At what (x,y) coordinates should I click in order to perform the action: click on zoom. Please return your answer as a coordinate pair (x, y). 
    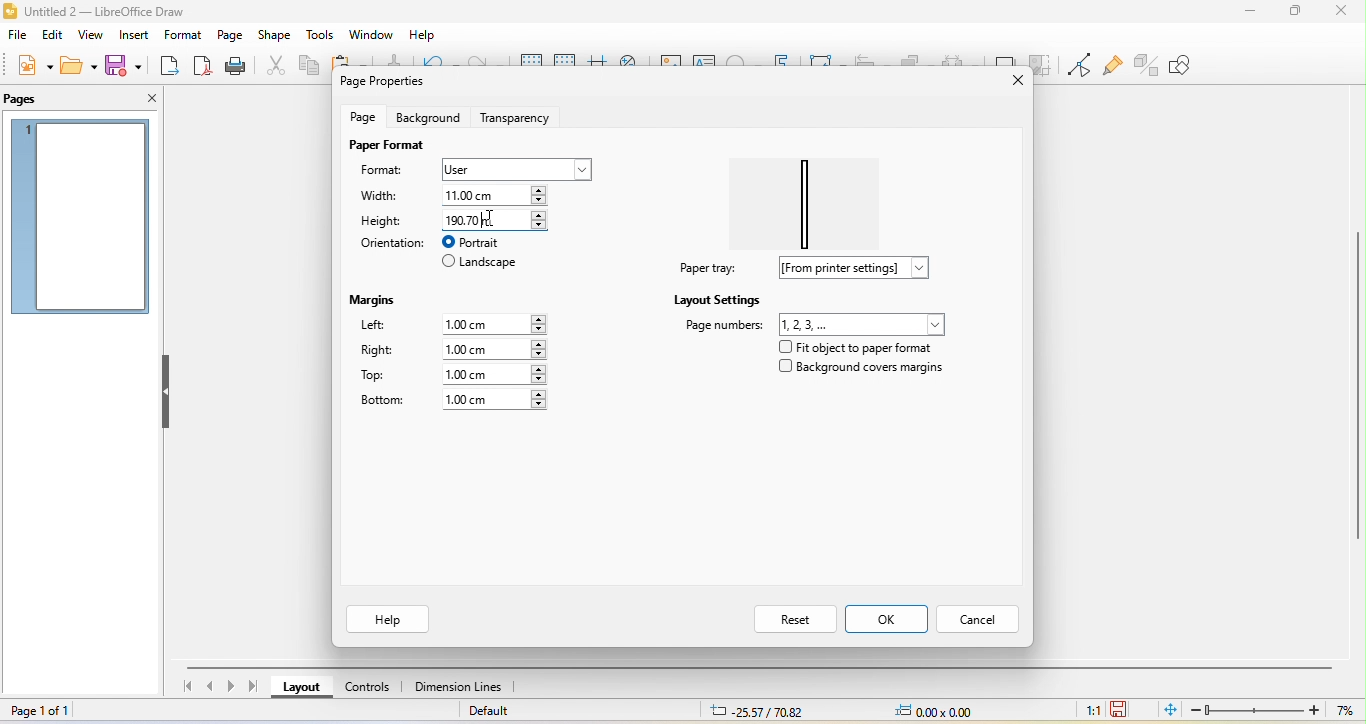
    Looking at the image, I should click on (1276, 710).